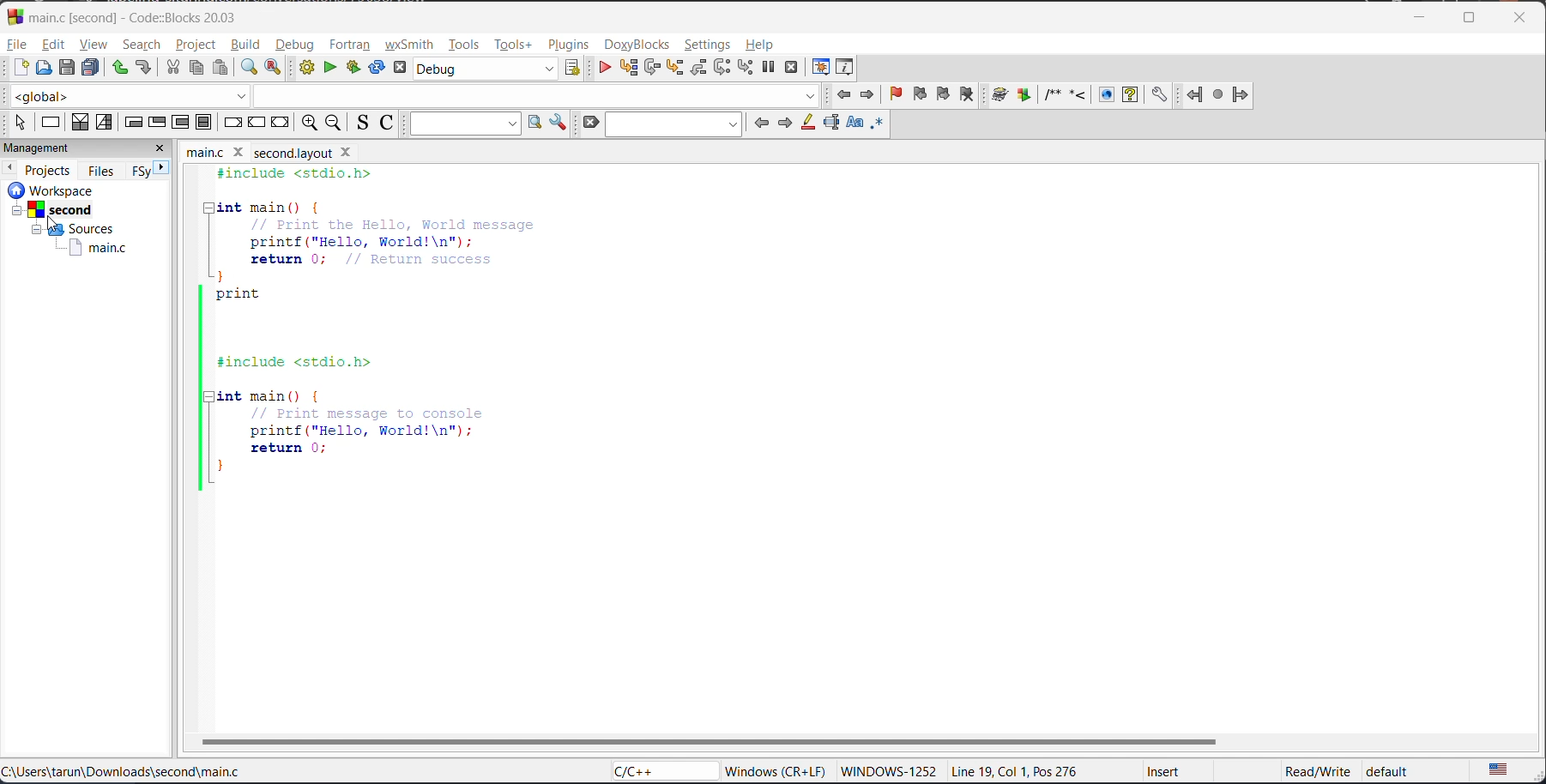 This screenshot has height=784, width=1546. What do you see at coordinates (559, 124) in the screenshot?
I see `show options window` at bounding box center [559, 124].